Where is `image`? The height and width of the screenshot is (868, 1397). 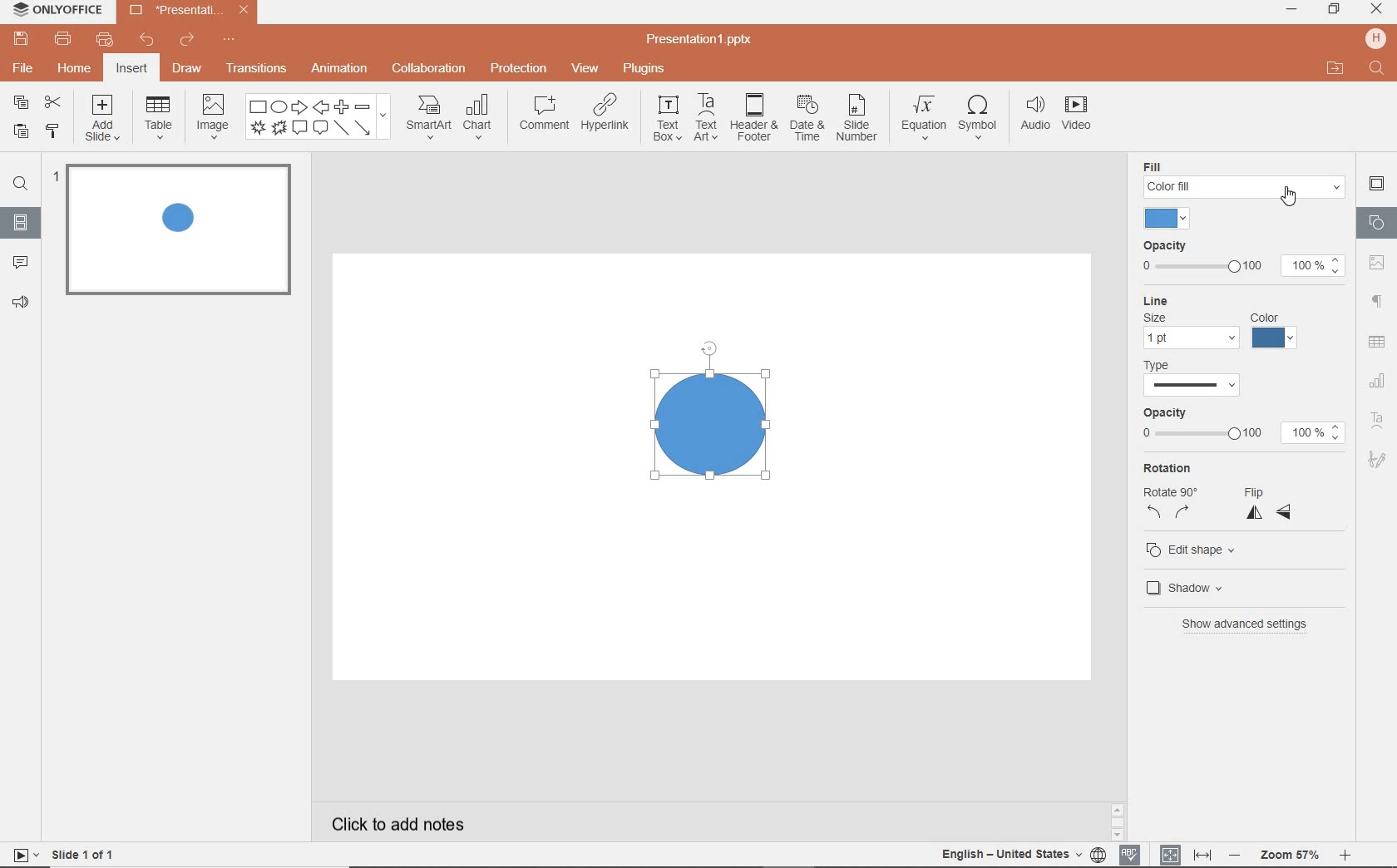
image is located at coordinates (212, 120).